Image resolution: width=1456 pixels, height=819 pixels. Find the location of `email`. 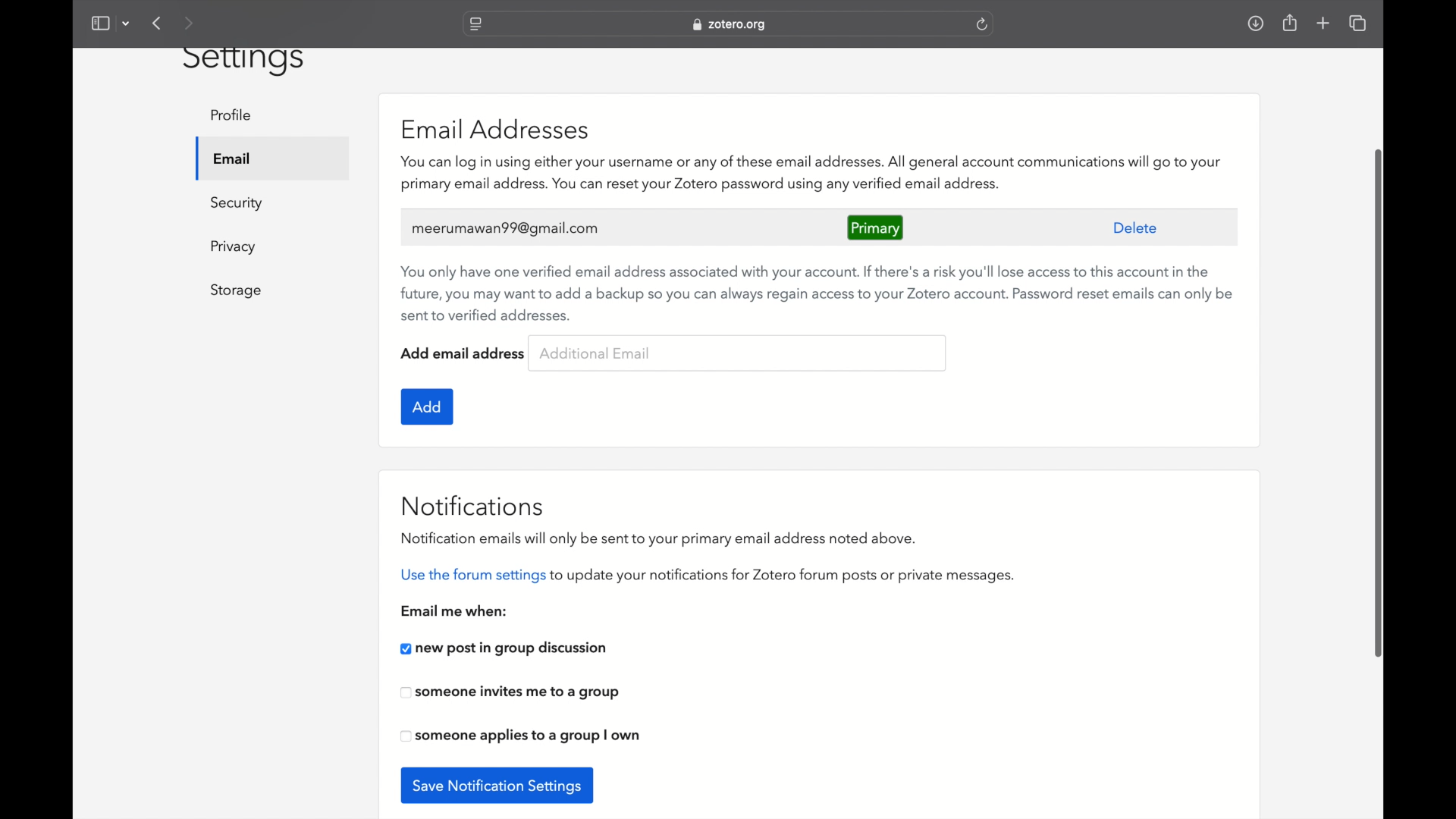

email is located at coordinates (231, 160).